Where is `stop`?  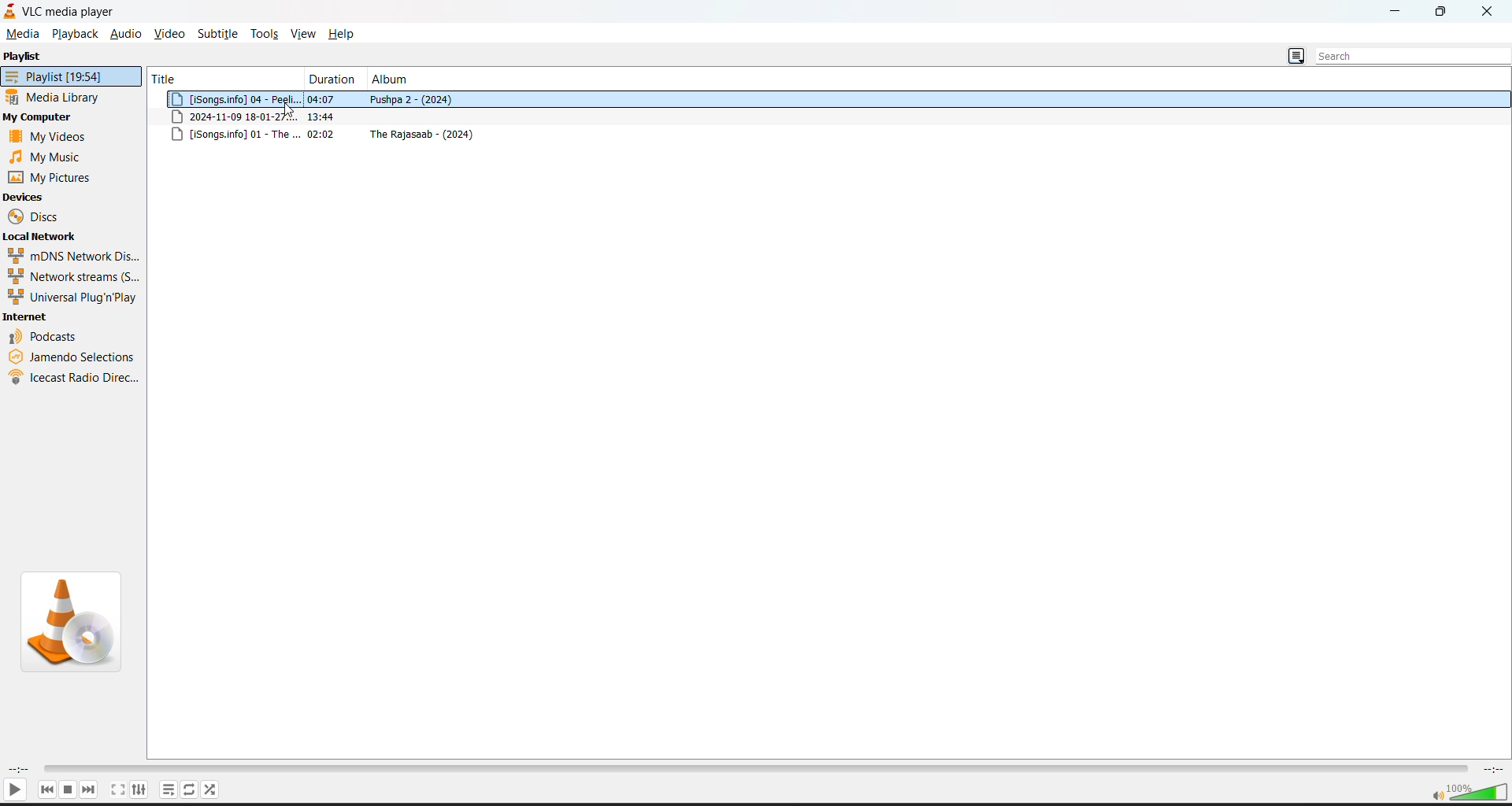 stop is located at coordinates (69, 789).